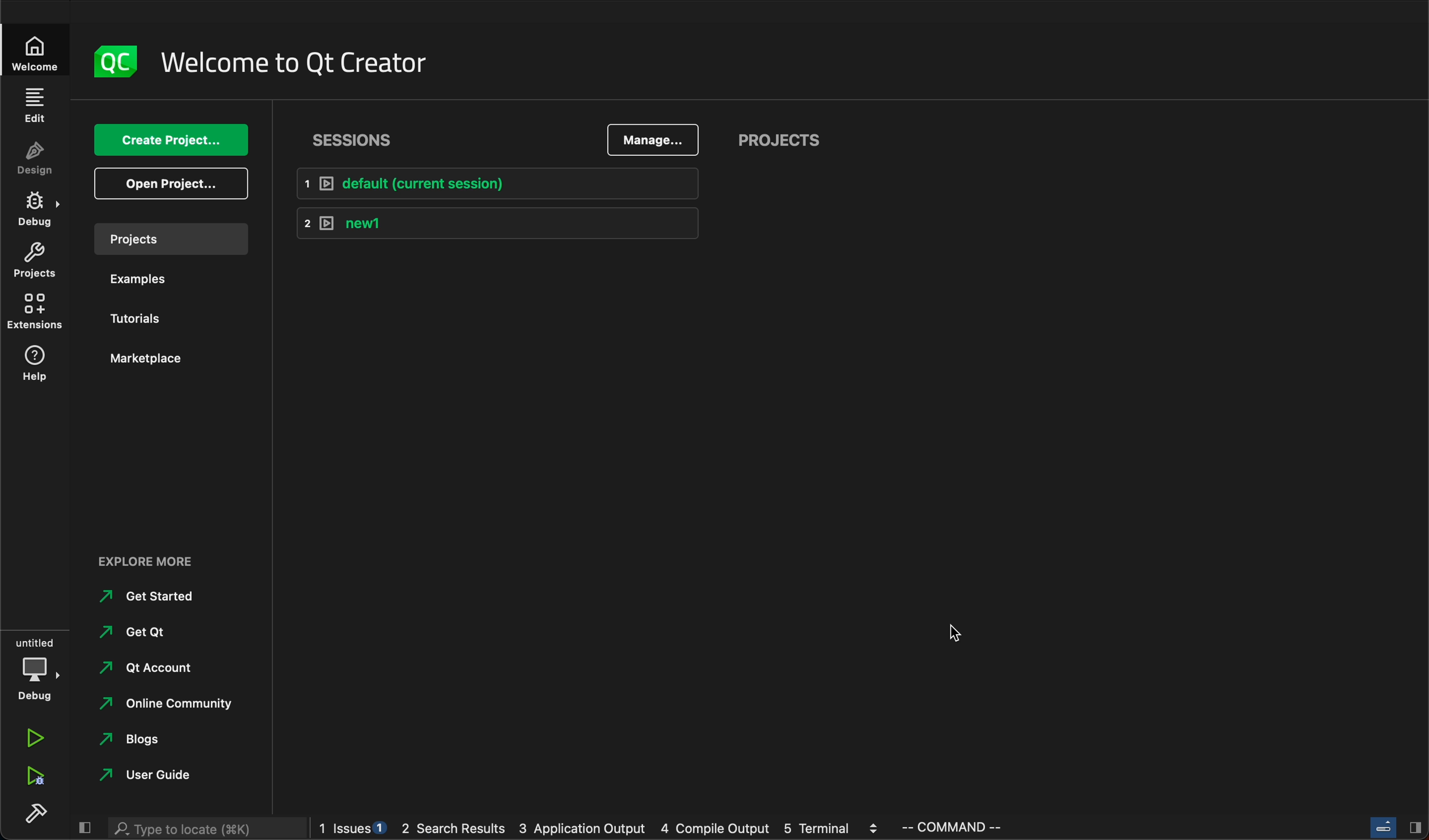  I want to click on debug, so click(38, 667).